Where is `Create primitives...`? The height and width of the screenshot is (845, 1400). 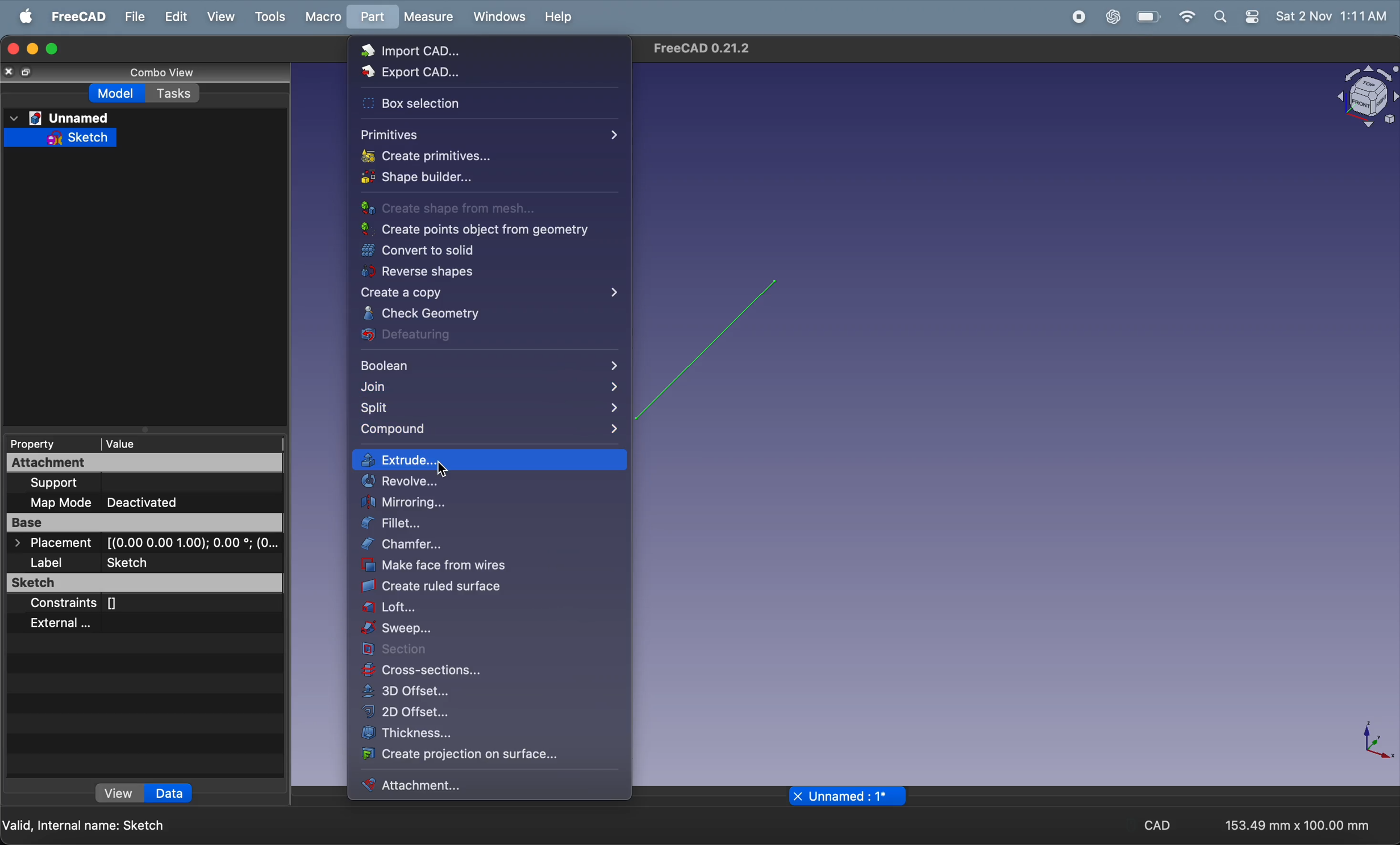
Create primitives... is located at coordinates (484, 155).